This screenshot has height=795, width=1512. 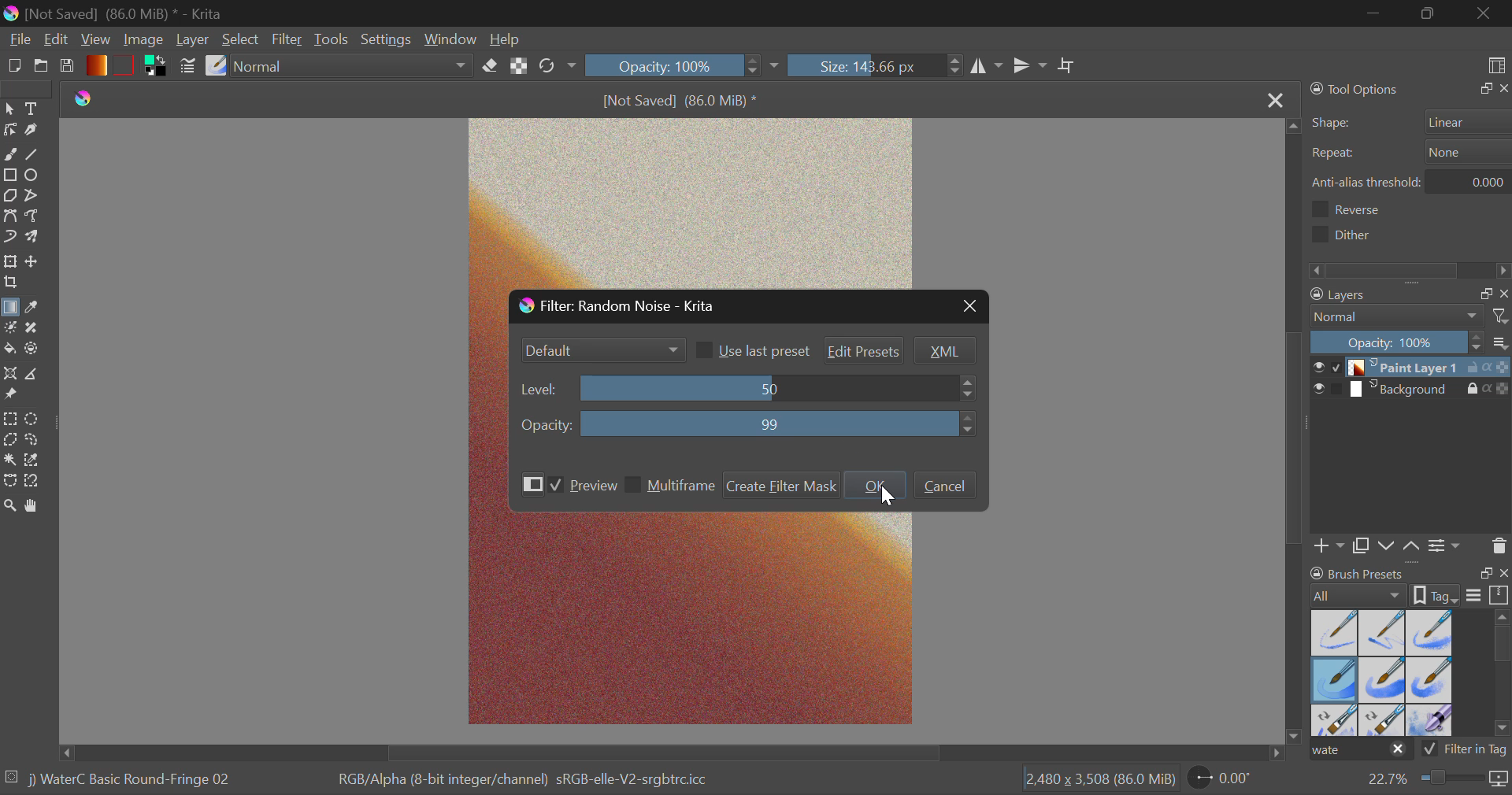 What do you see at coordinates (1503, 575) in the screenshot?
I see `close` at bounding box center [1503, 575].